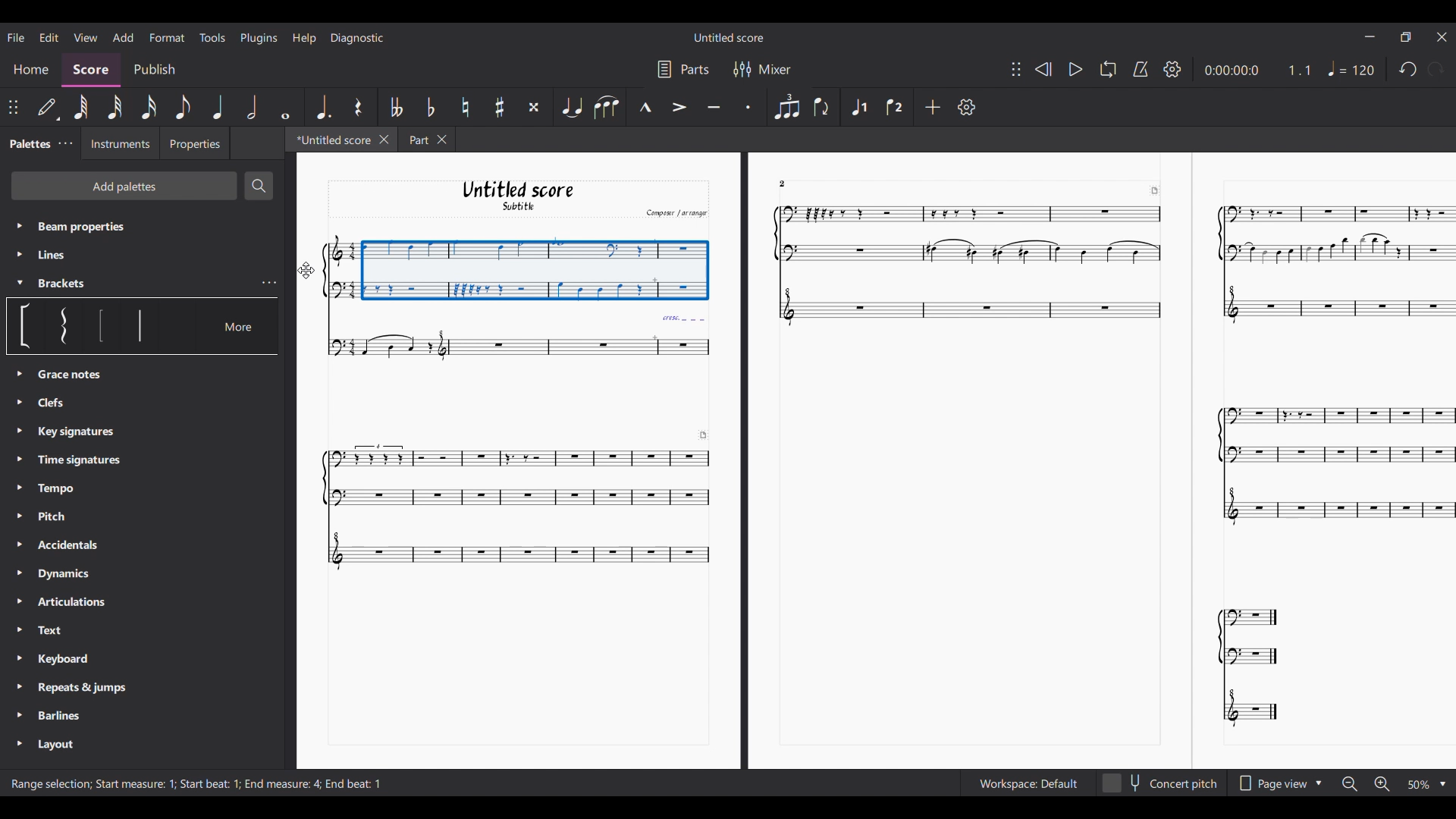 Image resolution: width=1456 pixels, height=819 pixels. I want to click on More, so click(241, 325).